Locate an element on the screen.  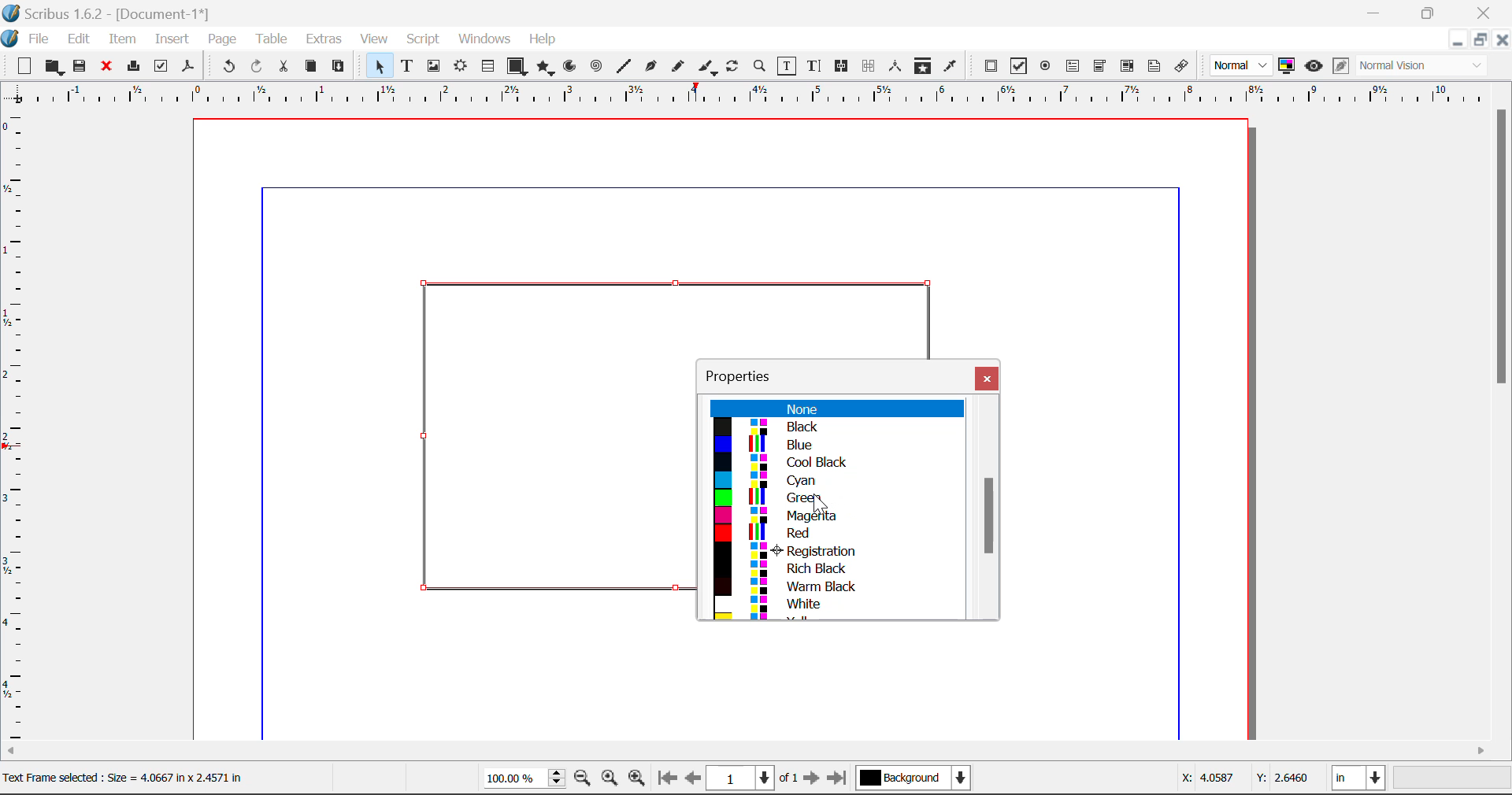
Restore Down is located at coordinates (1377, 13).